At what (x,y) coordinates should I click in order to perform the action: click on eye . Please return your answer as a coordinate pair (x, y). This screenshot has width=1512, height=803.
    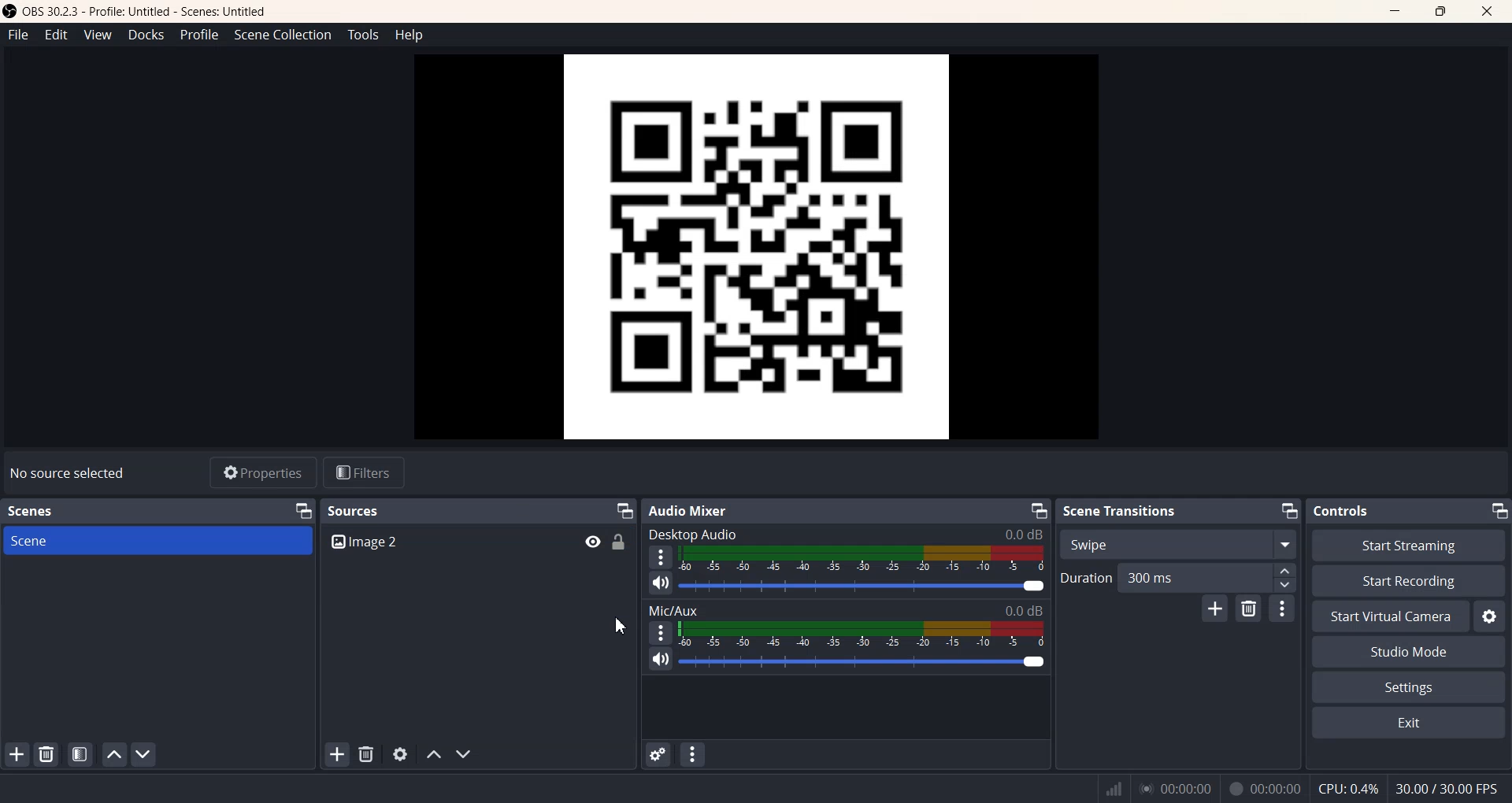
    Looking at the image, I should click on (594, 542).